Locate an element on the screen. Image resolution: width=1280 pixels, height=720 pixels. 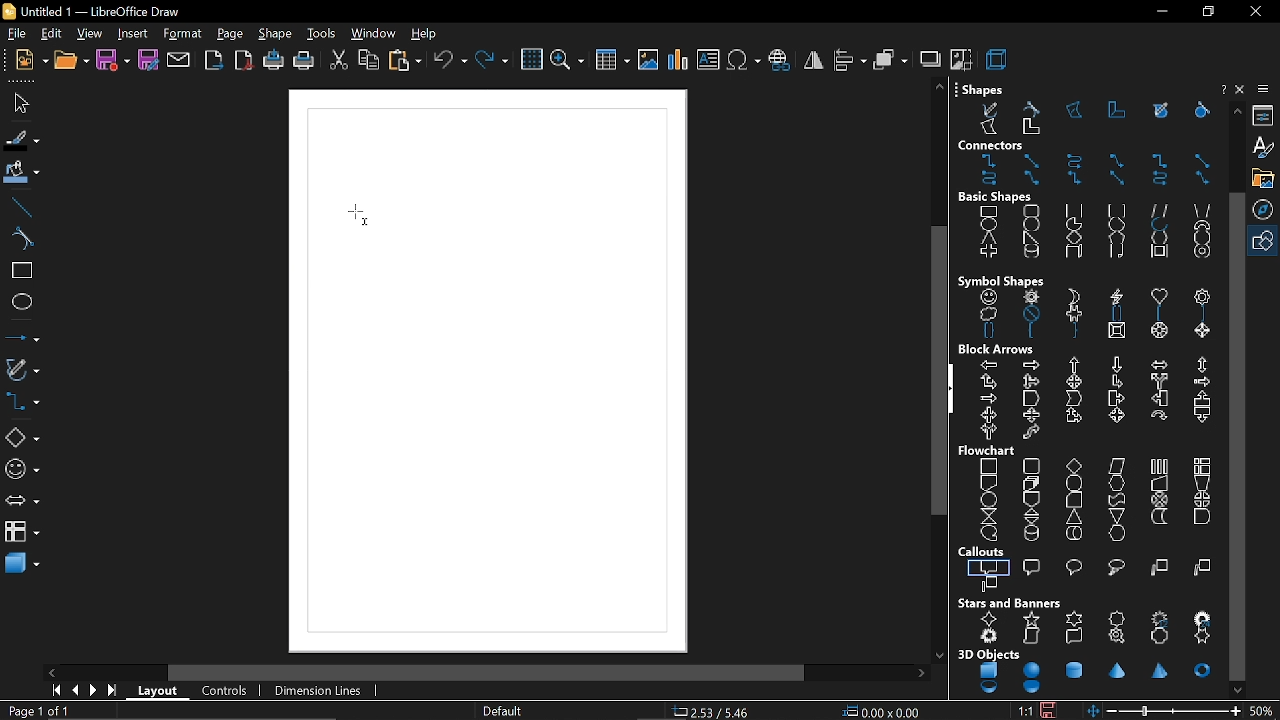
display is located at coordinates (1117, 533).